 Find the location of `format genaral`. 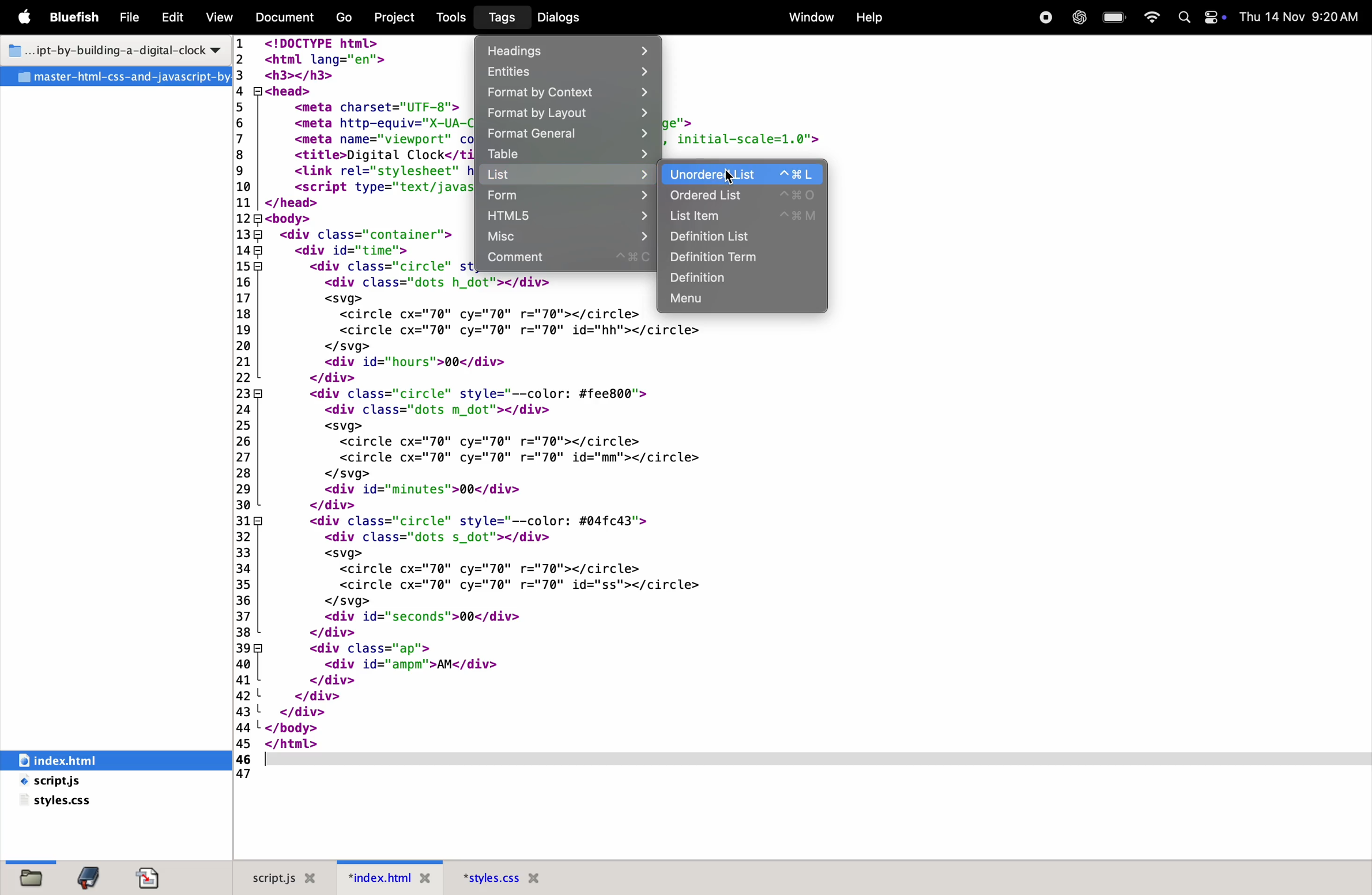

format genaral is located at coordinates (568, 133).